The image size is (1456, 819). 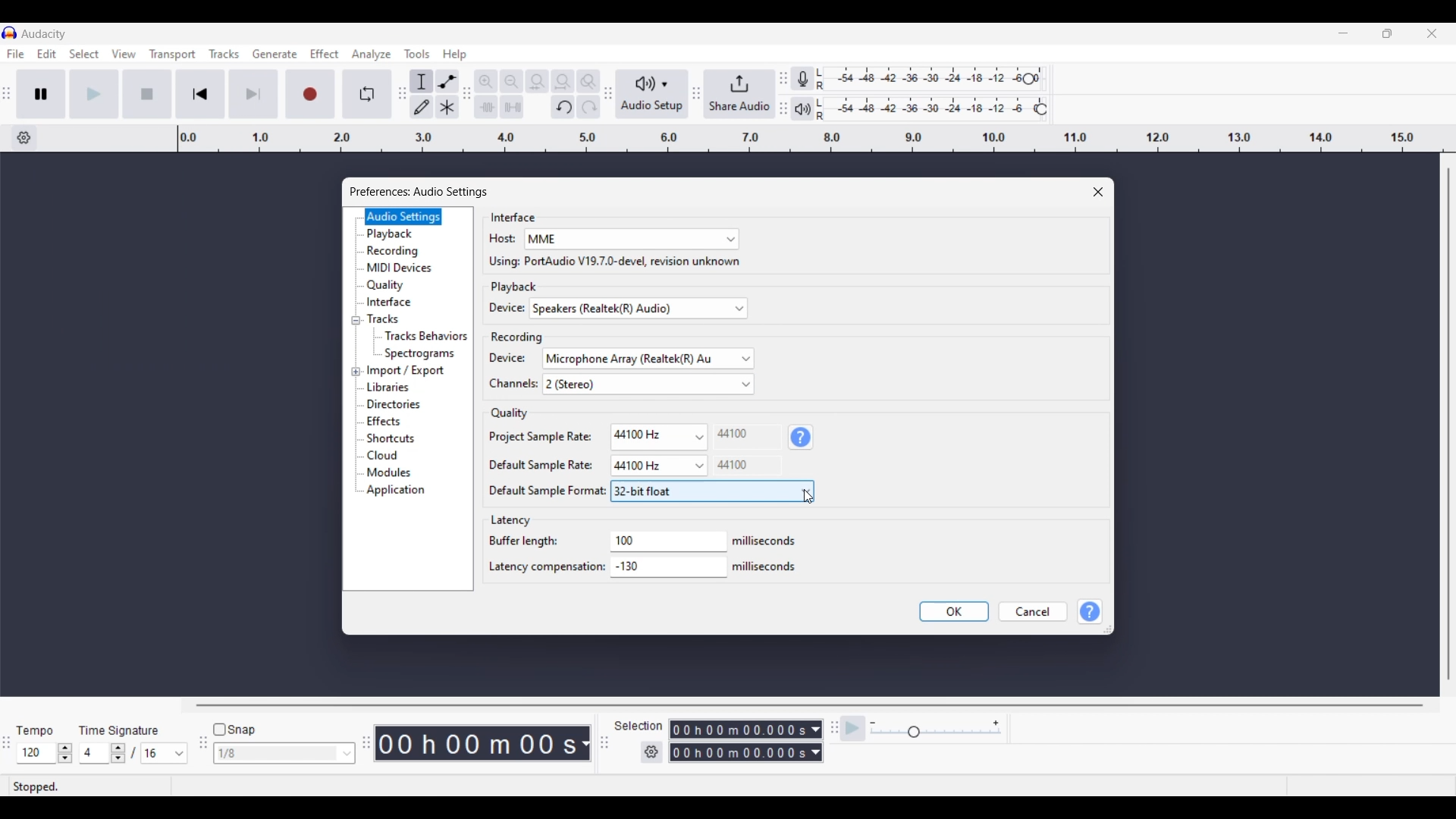 I want to click on Type in buffer length, so click(x=658, y=540).